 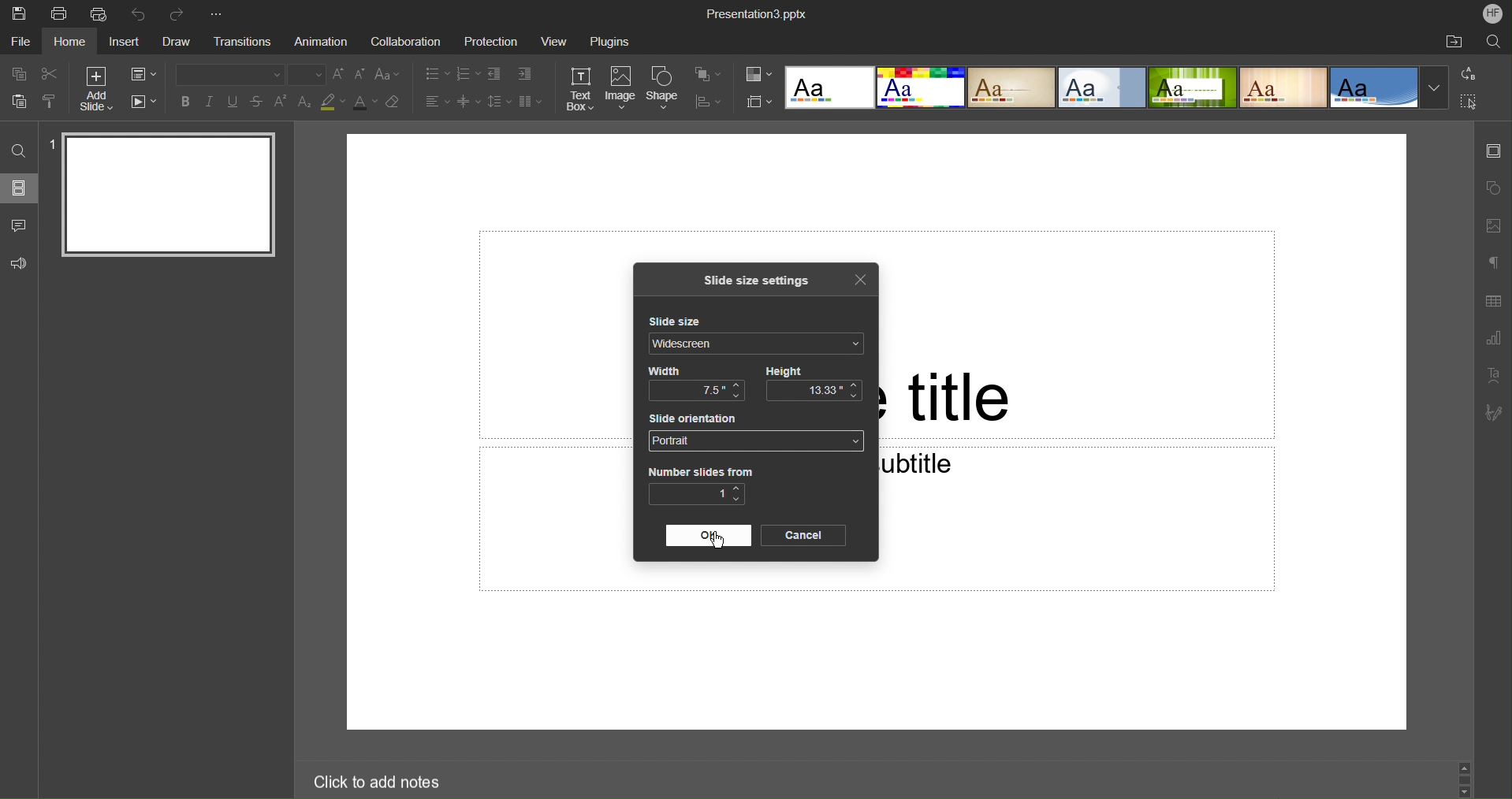 I want to click on Erase Style, so click(x=395, y=104).